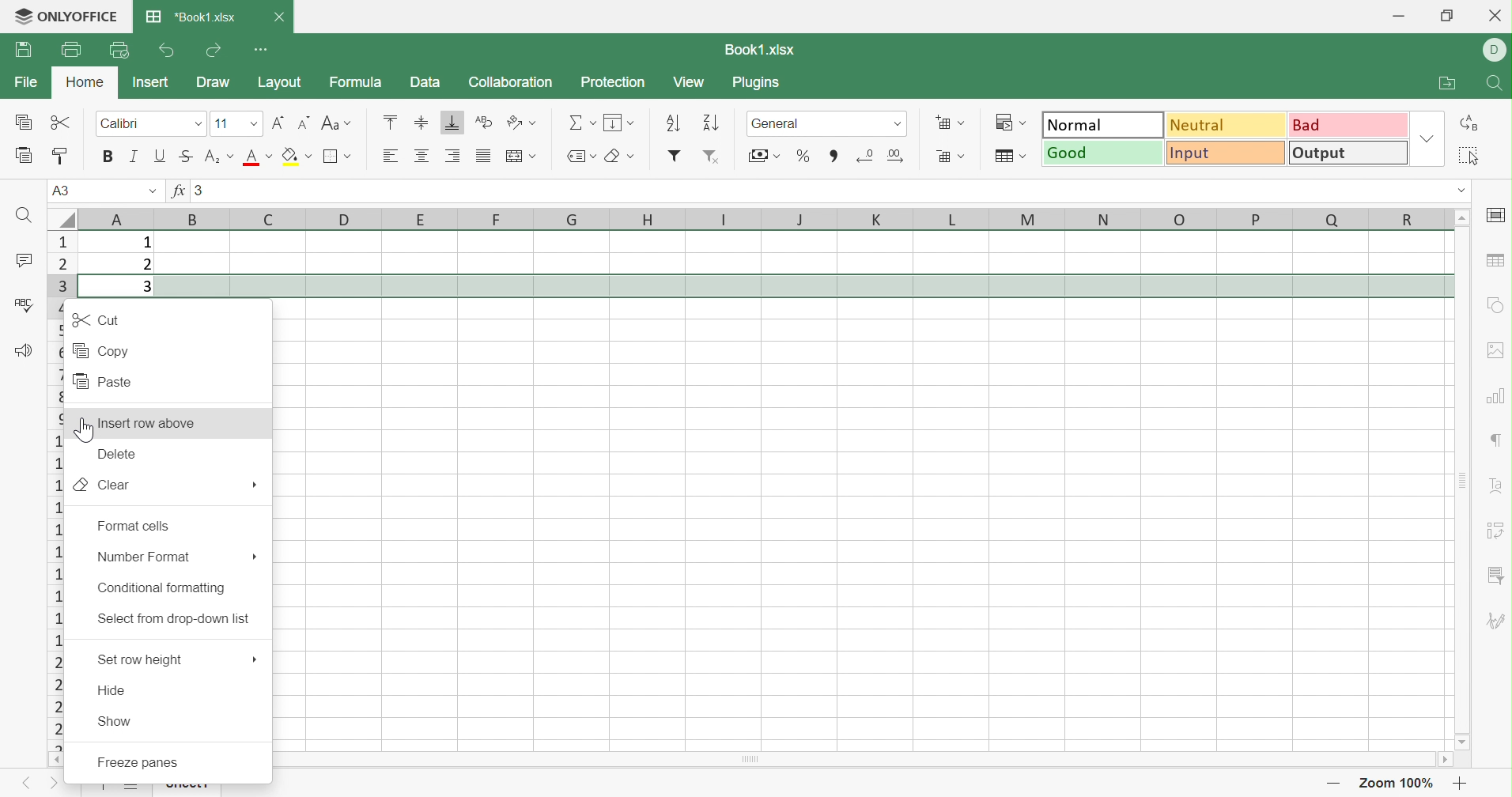 Image resolution: width=1512 pixels, height=797 pixels. I want to click on Comments, so click(24, 260).